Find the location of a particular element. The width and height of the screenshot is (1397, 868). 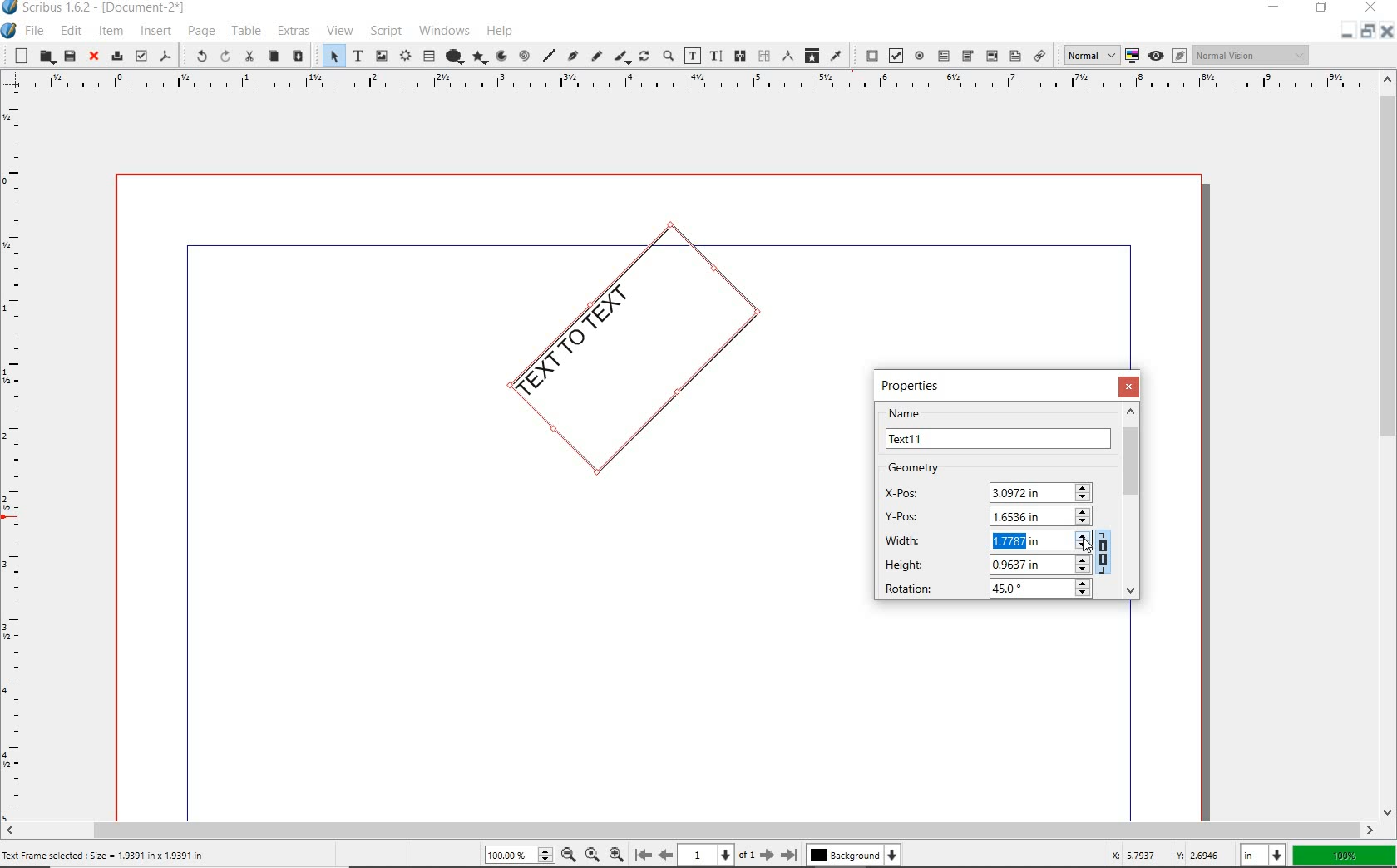

image frame is located at coordinates (383, 57).